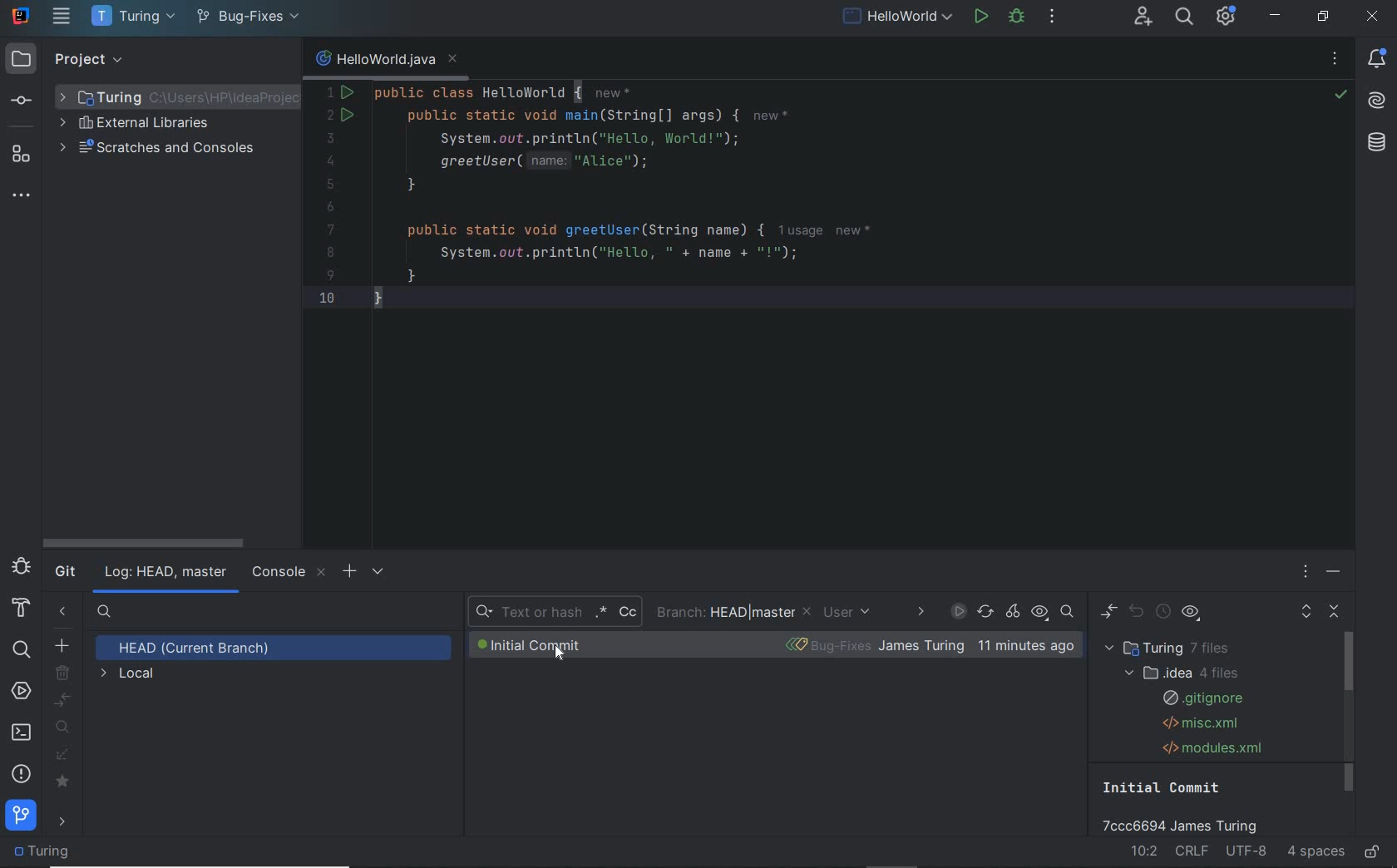 The width and height of the screenshot is (1397, 868). What do you see at coordinates (1197, 723) in the screenshot?
I see `.misc.xml` at bounding box center [1197, 723].